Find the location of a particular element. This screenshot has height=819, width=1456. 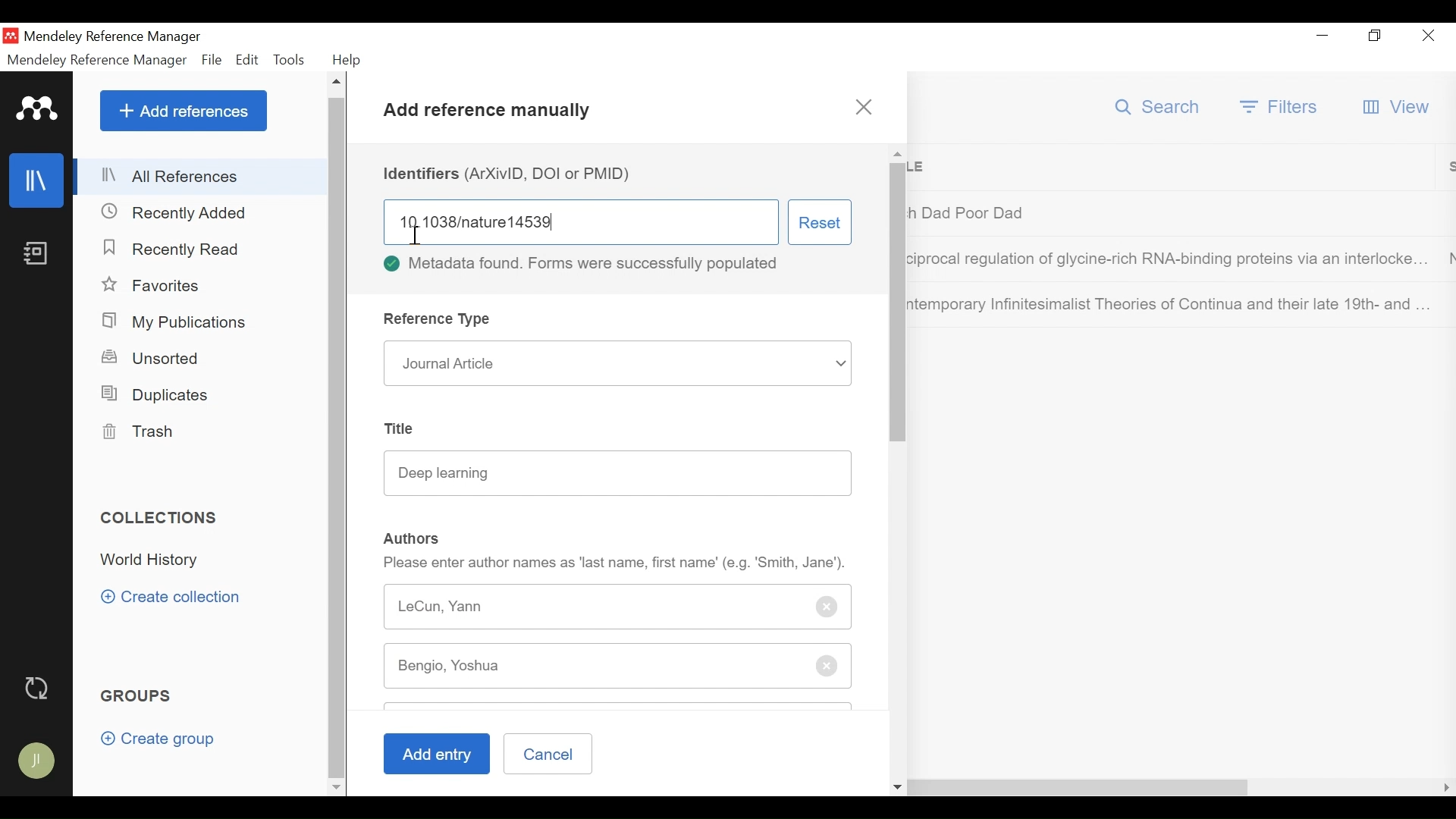

Mendeley Desktop Icon is located at coordinates (11, 35).